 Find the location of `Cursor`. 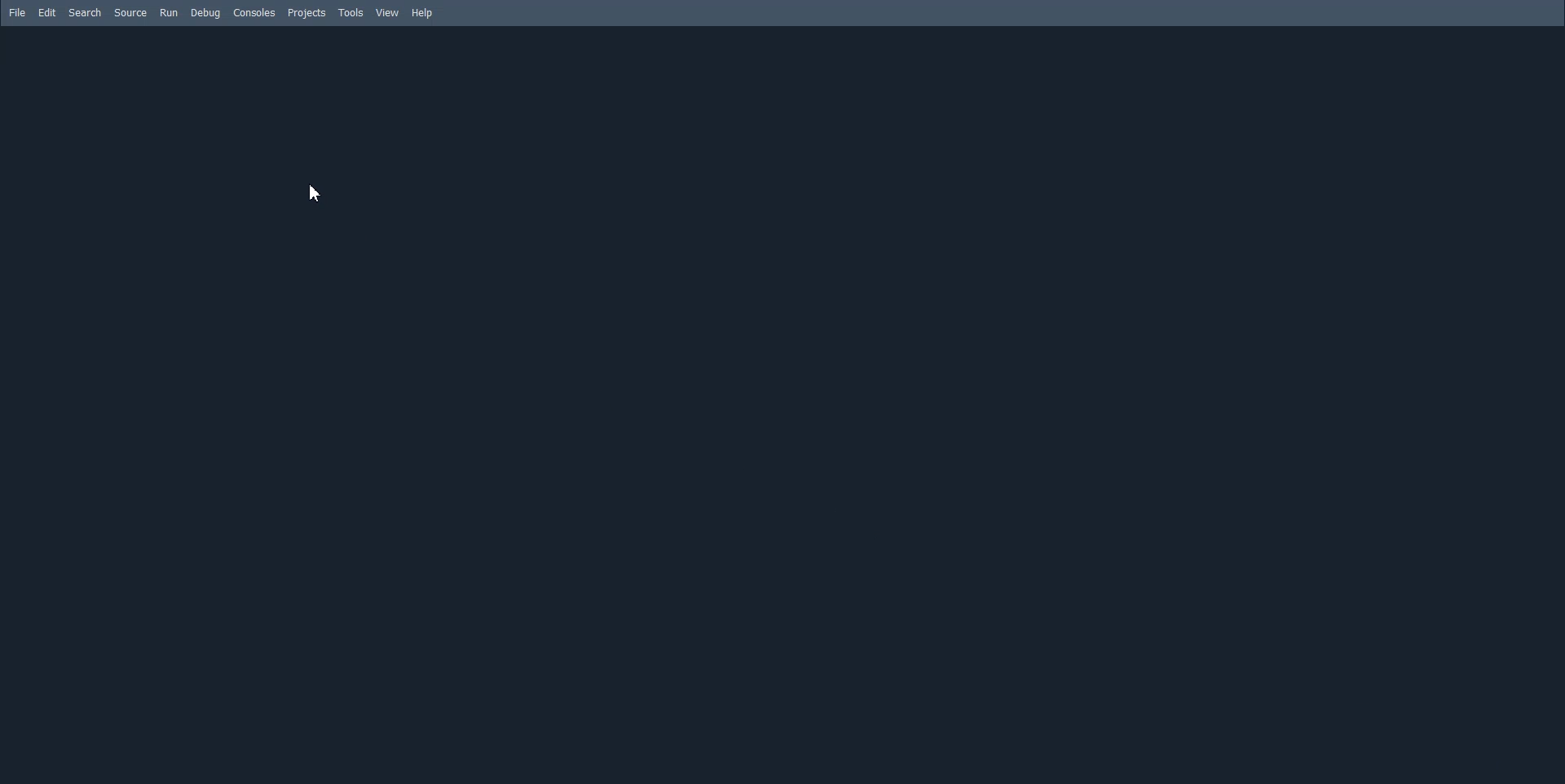

Cursor is located at coordinates (315, 192).